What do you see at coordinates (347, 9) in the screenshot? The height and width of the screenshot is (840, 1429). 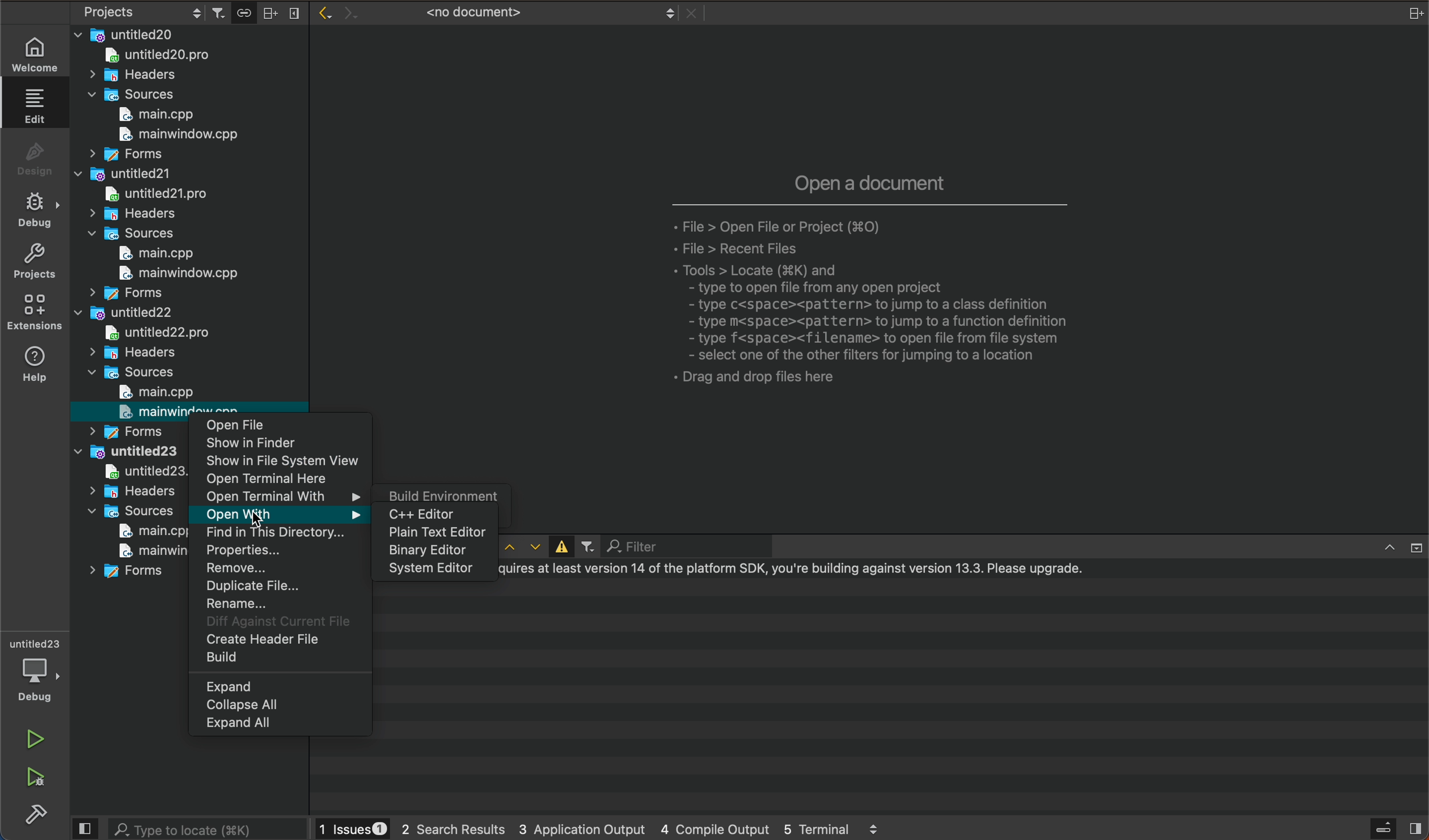 I see `next` at bounding box center [347, 9].